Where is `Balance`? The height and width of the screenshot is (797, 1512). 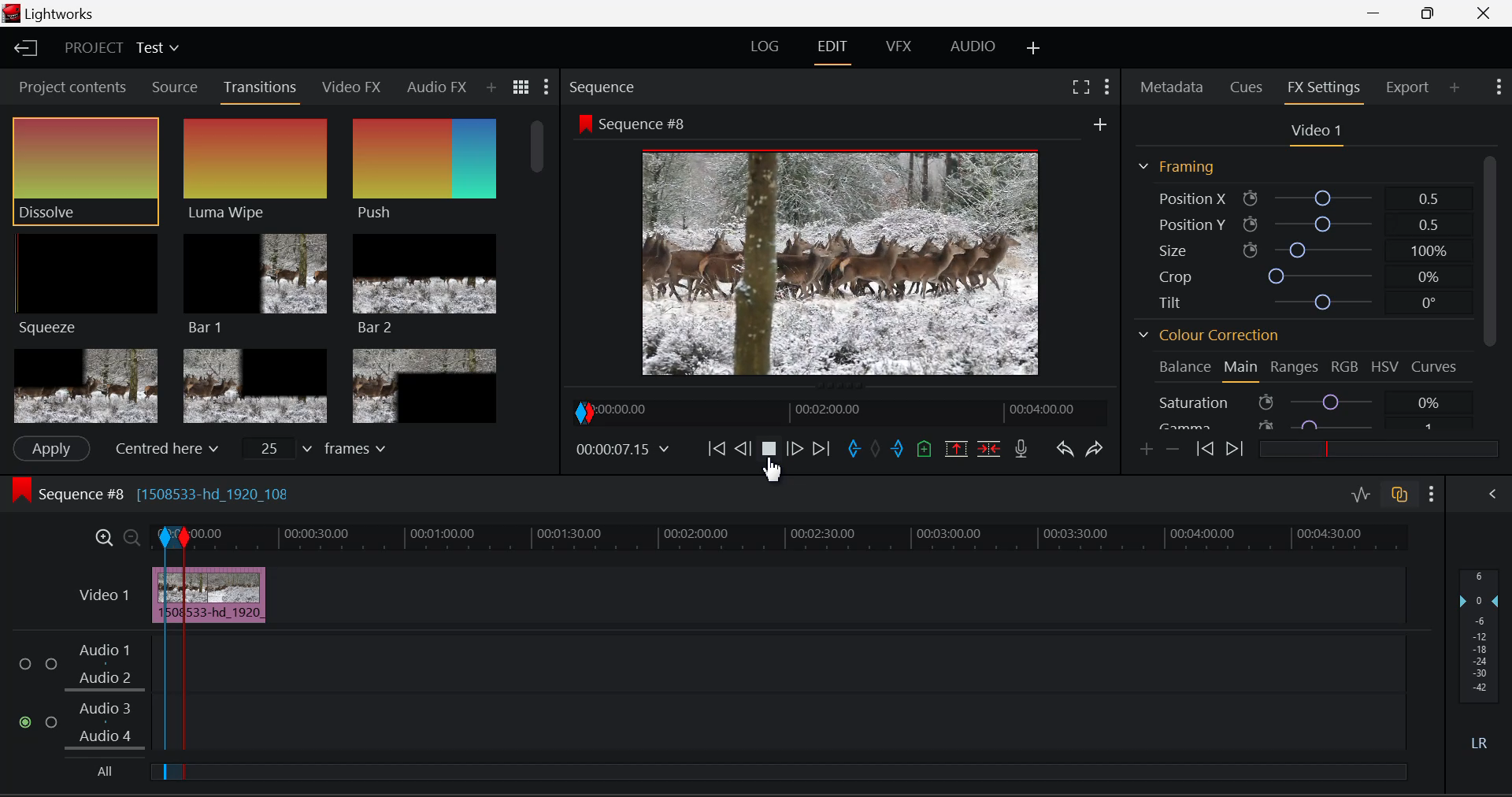
Balance is located at coordinates (1180, 367).